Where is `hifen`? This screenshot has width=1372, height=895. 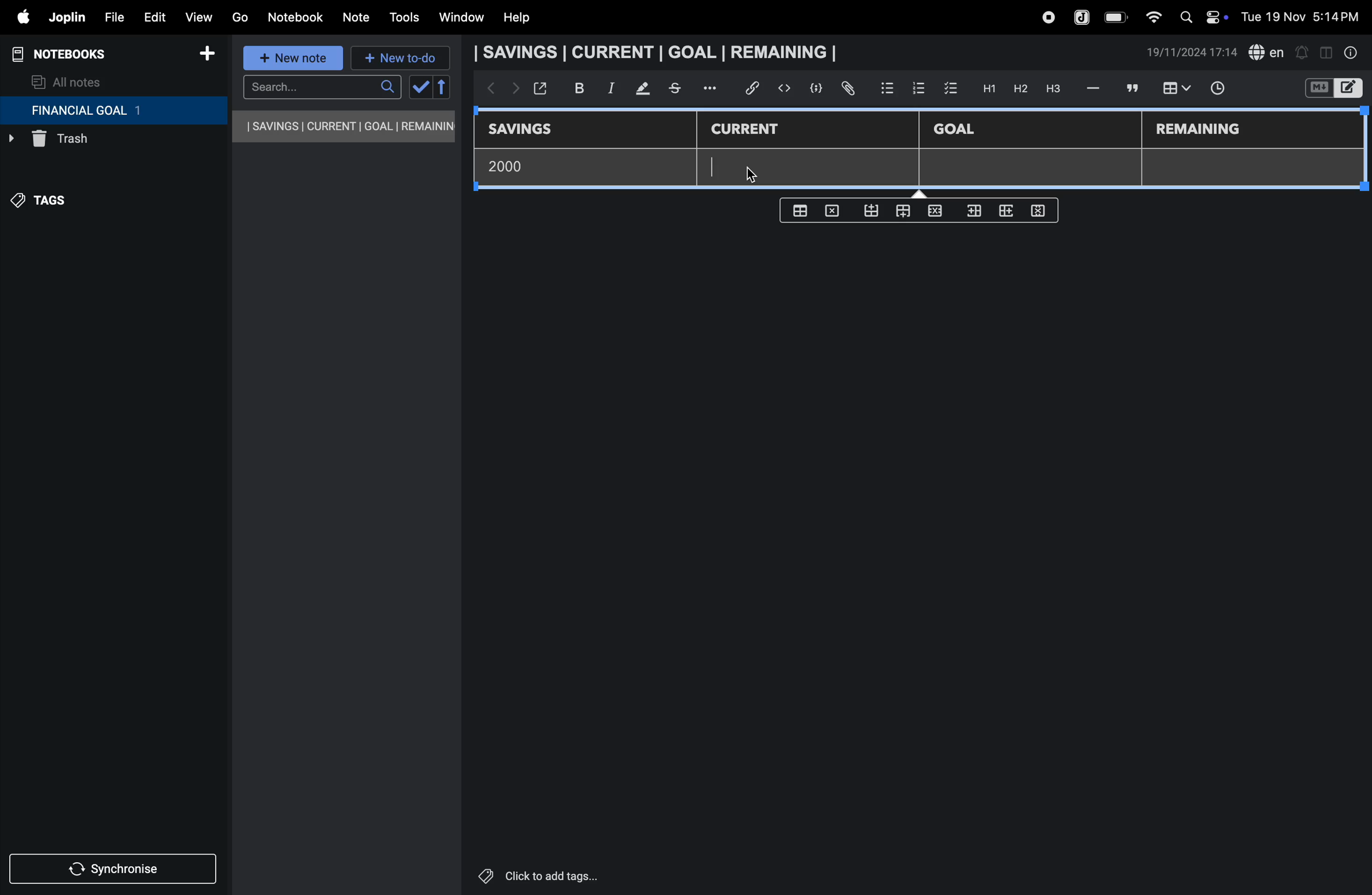
hifen is located at coordinates (1095, 88).